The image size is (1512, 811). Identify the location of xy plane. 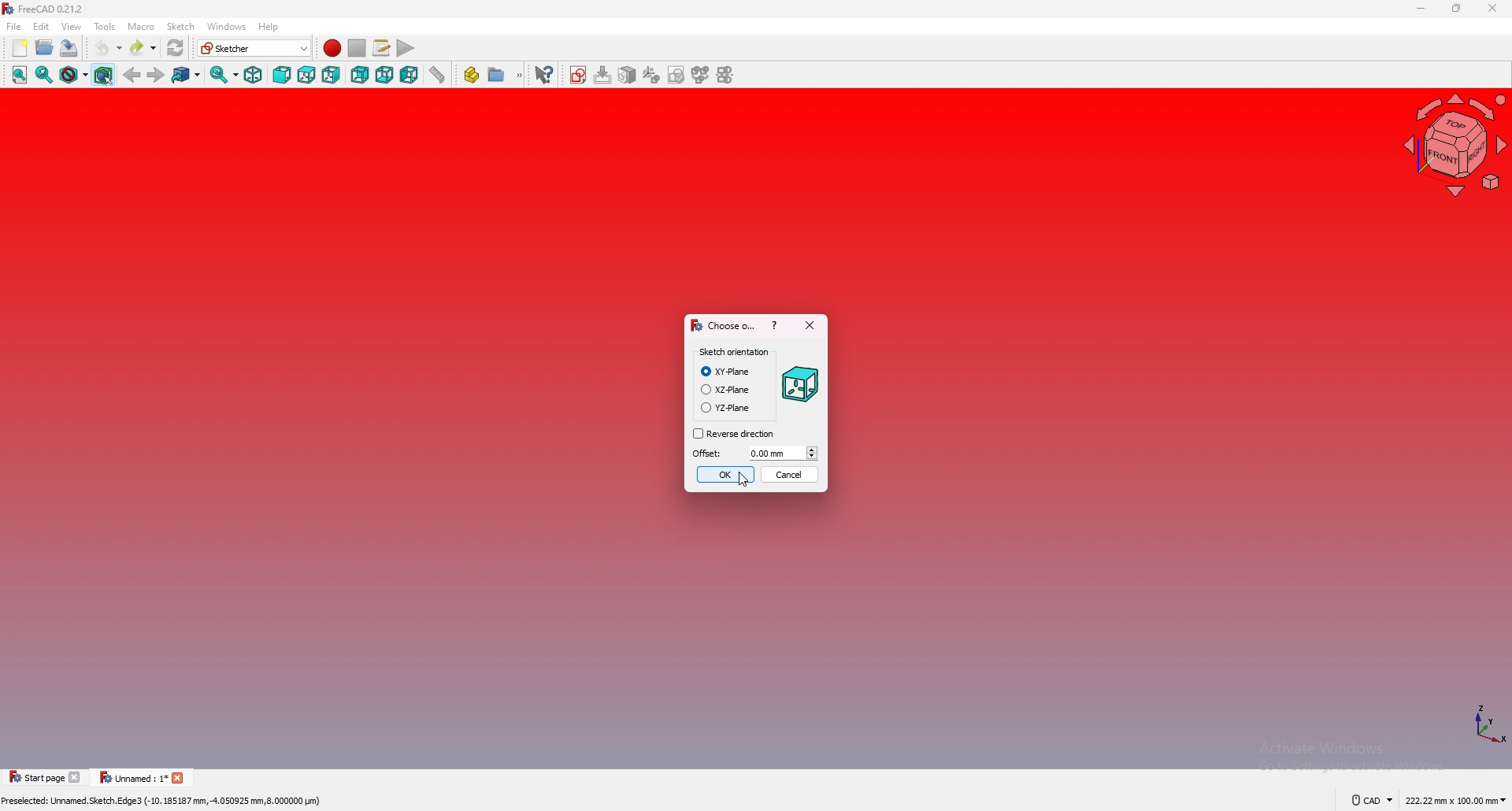
(728, 372).